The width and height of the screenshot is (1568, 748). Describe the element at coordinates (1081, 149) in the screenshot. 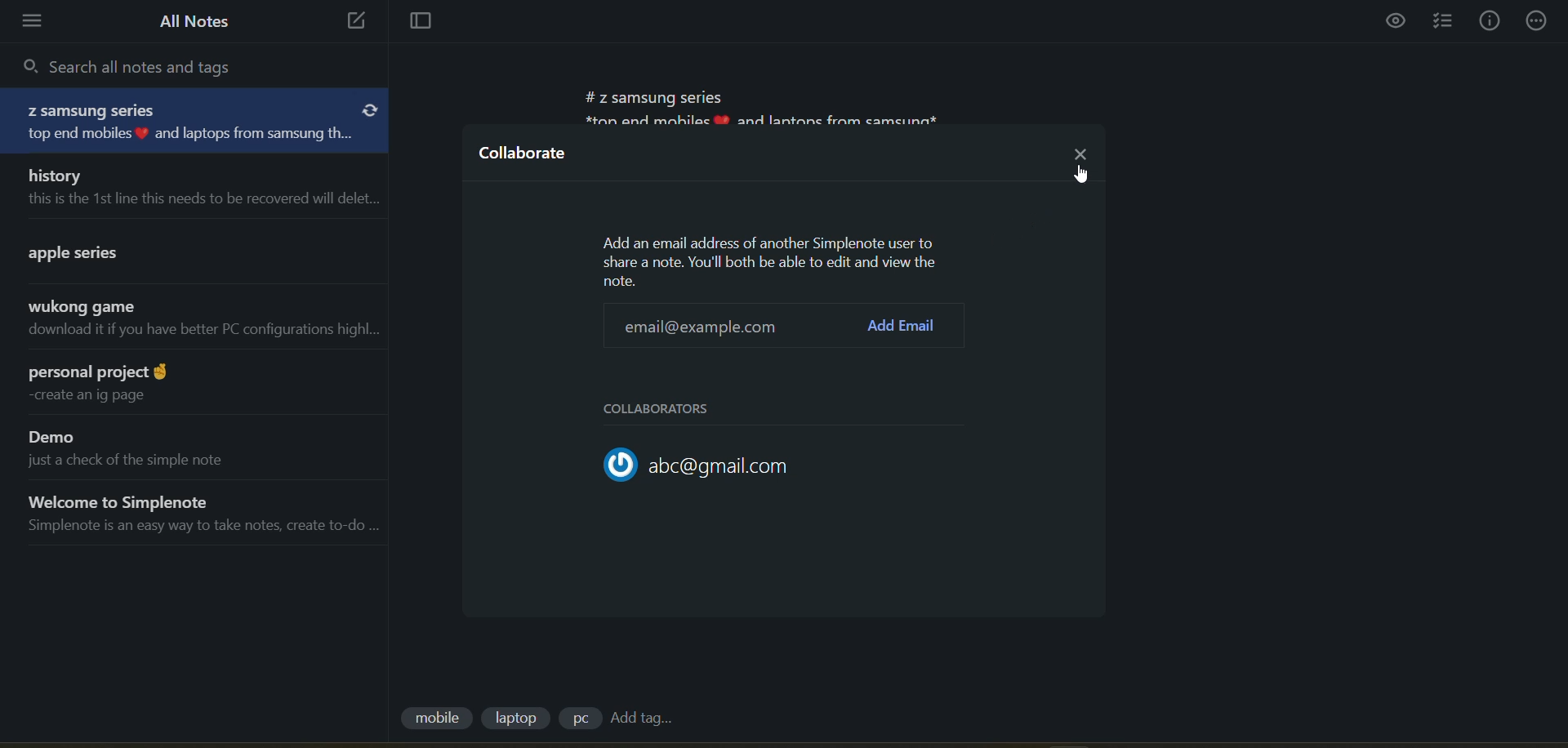

I see `close` at that location.